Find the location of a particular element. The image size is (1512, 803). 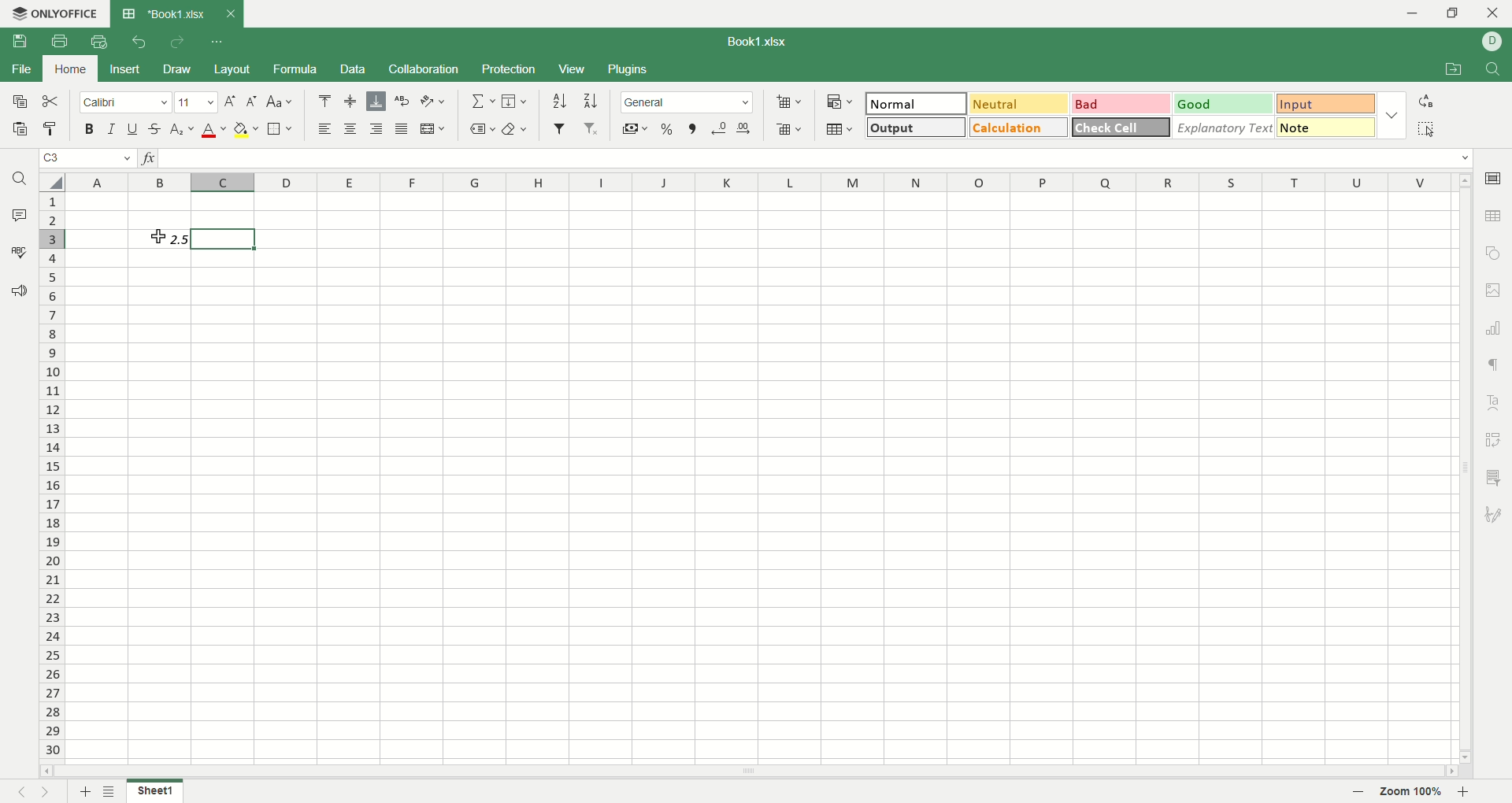

align left is located at coordinates (325, 129).